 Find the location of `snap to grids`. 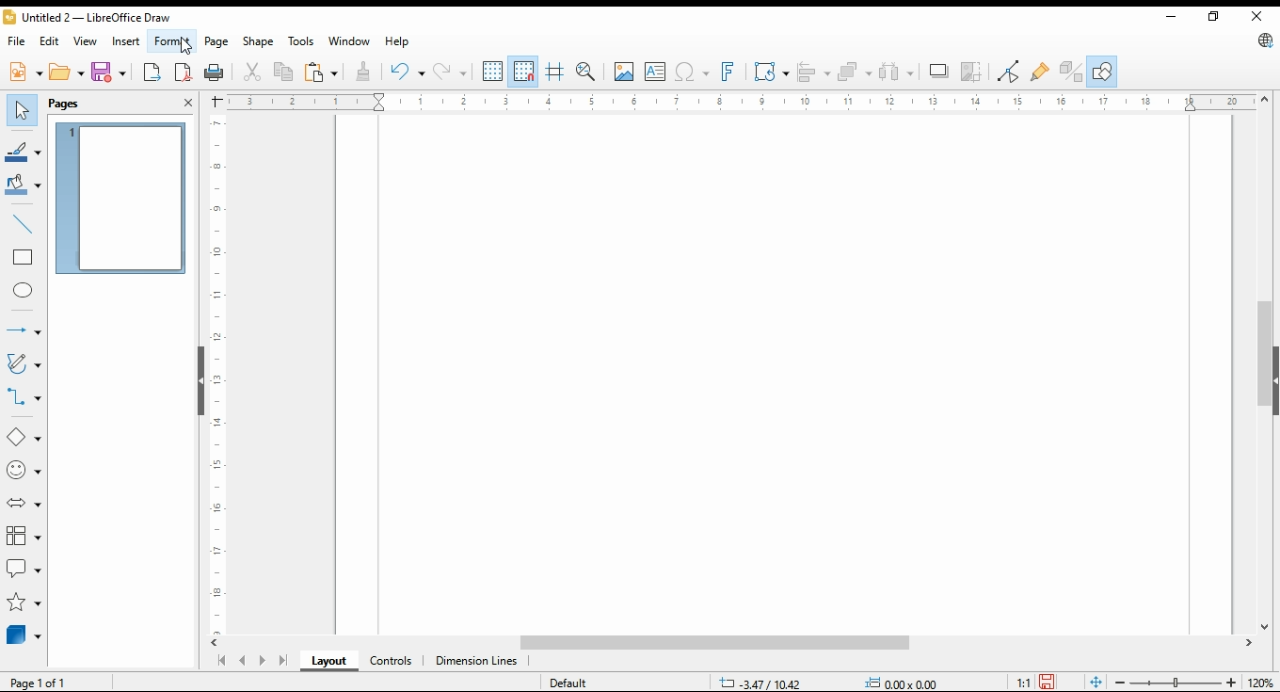

snap to grids is located at coordinates (524, 72).